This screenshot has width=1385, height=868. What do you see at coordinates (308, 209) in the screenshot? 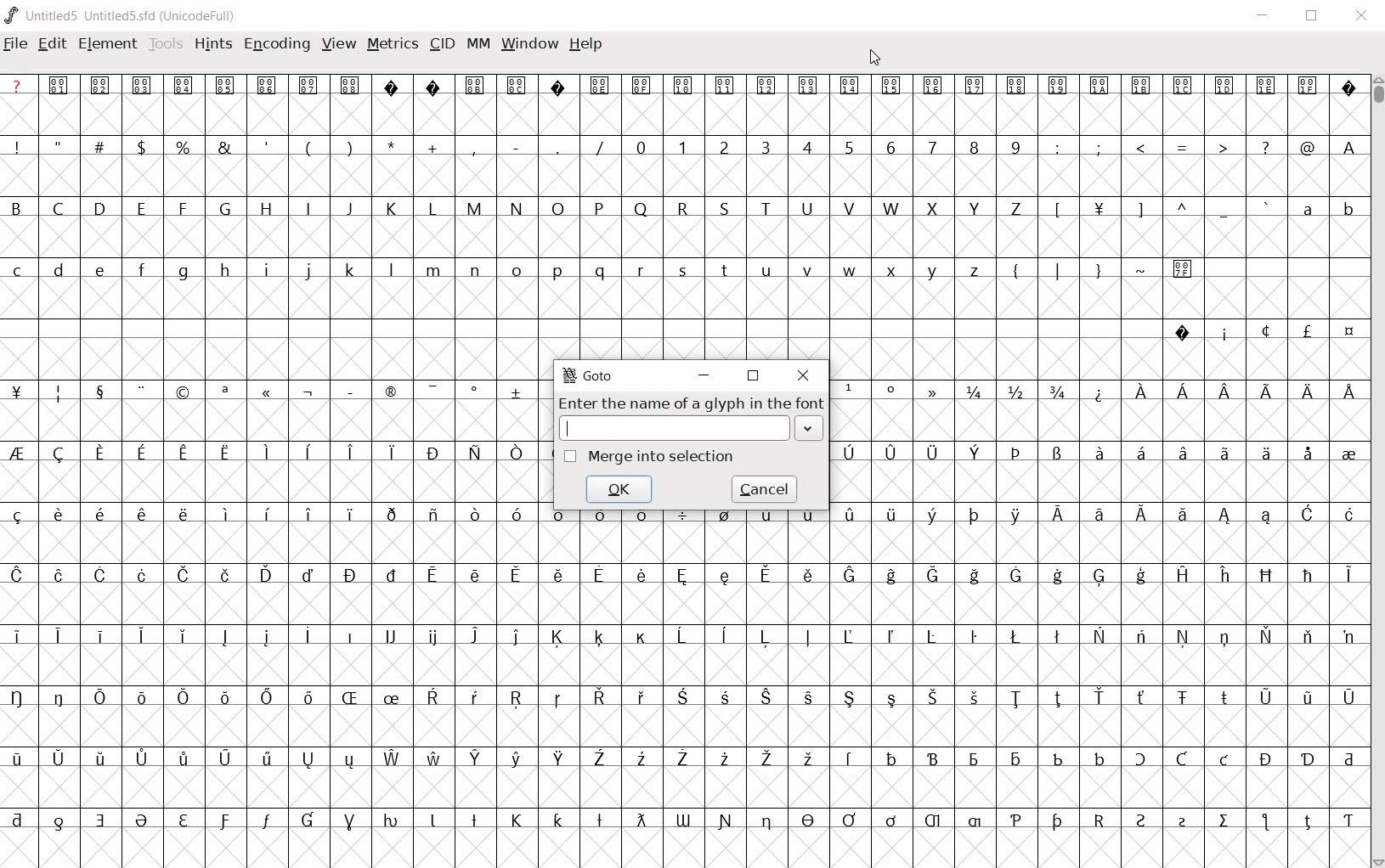
I see `I` at bounding box center [308, 209].